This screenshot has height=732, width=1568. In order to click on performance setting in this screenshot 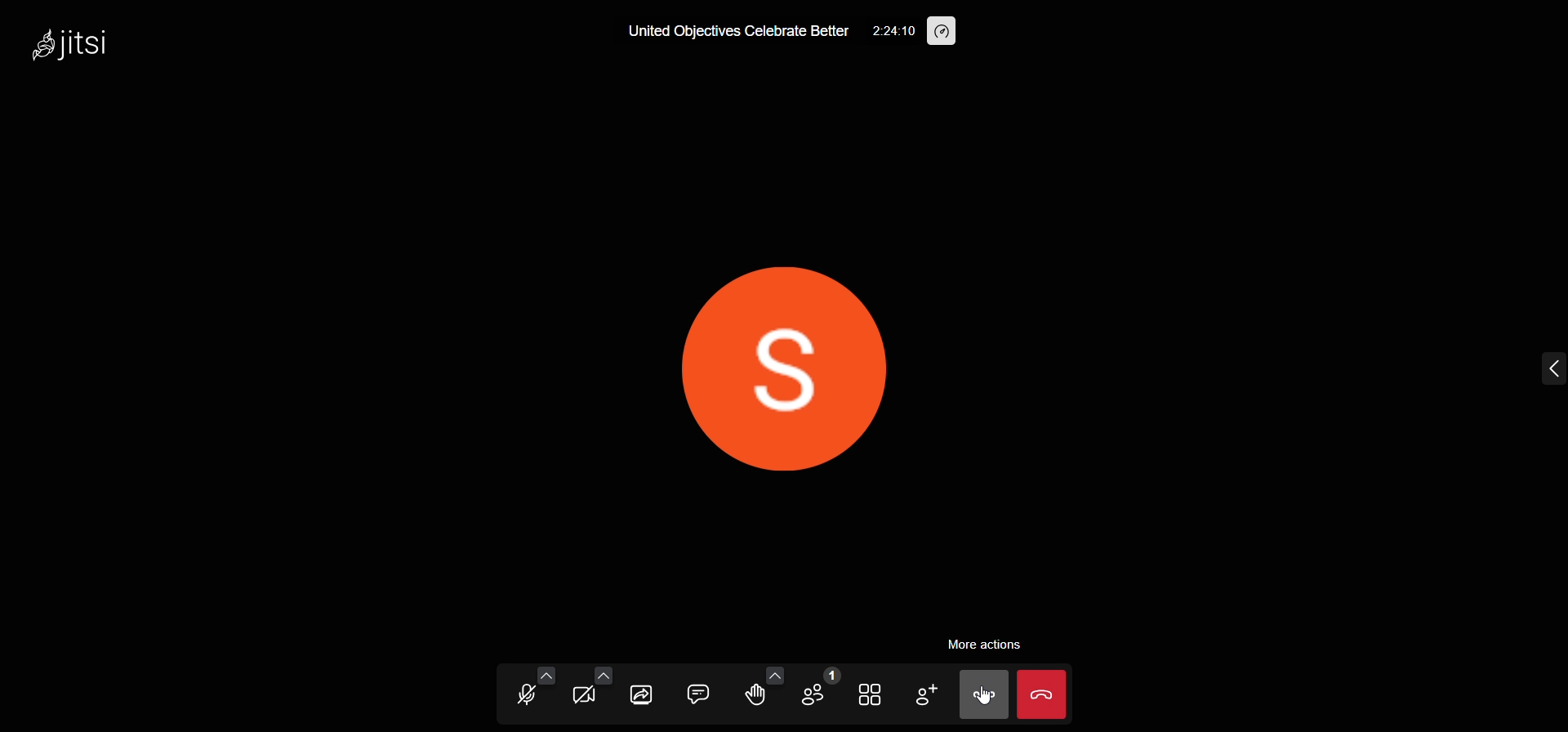, I will do `click(942, 32)`.